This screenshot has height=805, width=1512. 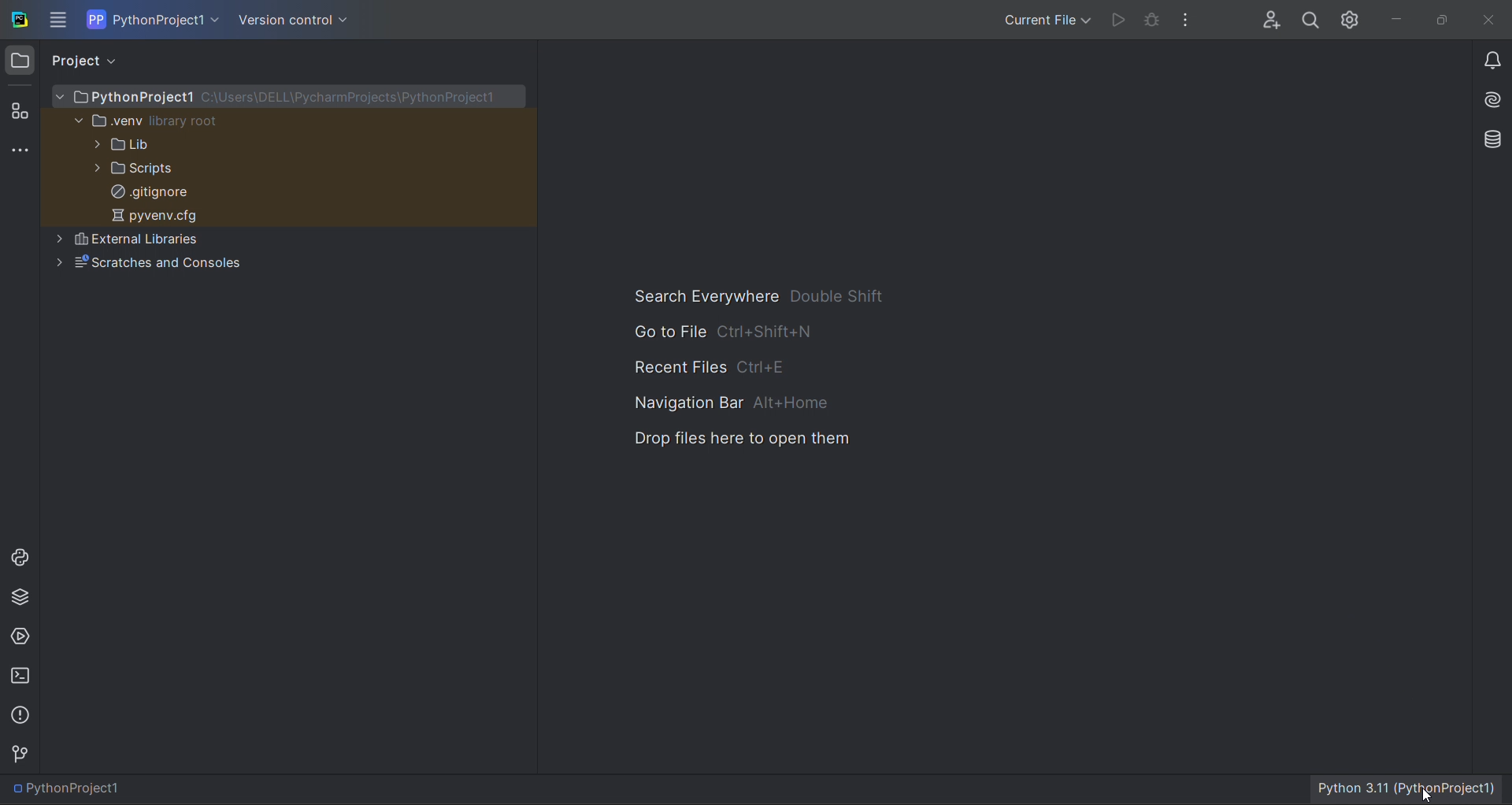 What do you see at coordinates (60, 20) in the screenshot?
I see `main menu` at bounding box center [60, 20].